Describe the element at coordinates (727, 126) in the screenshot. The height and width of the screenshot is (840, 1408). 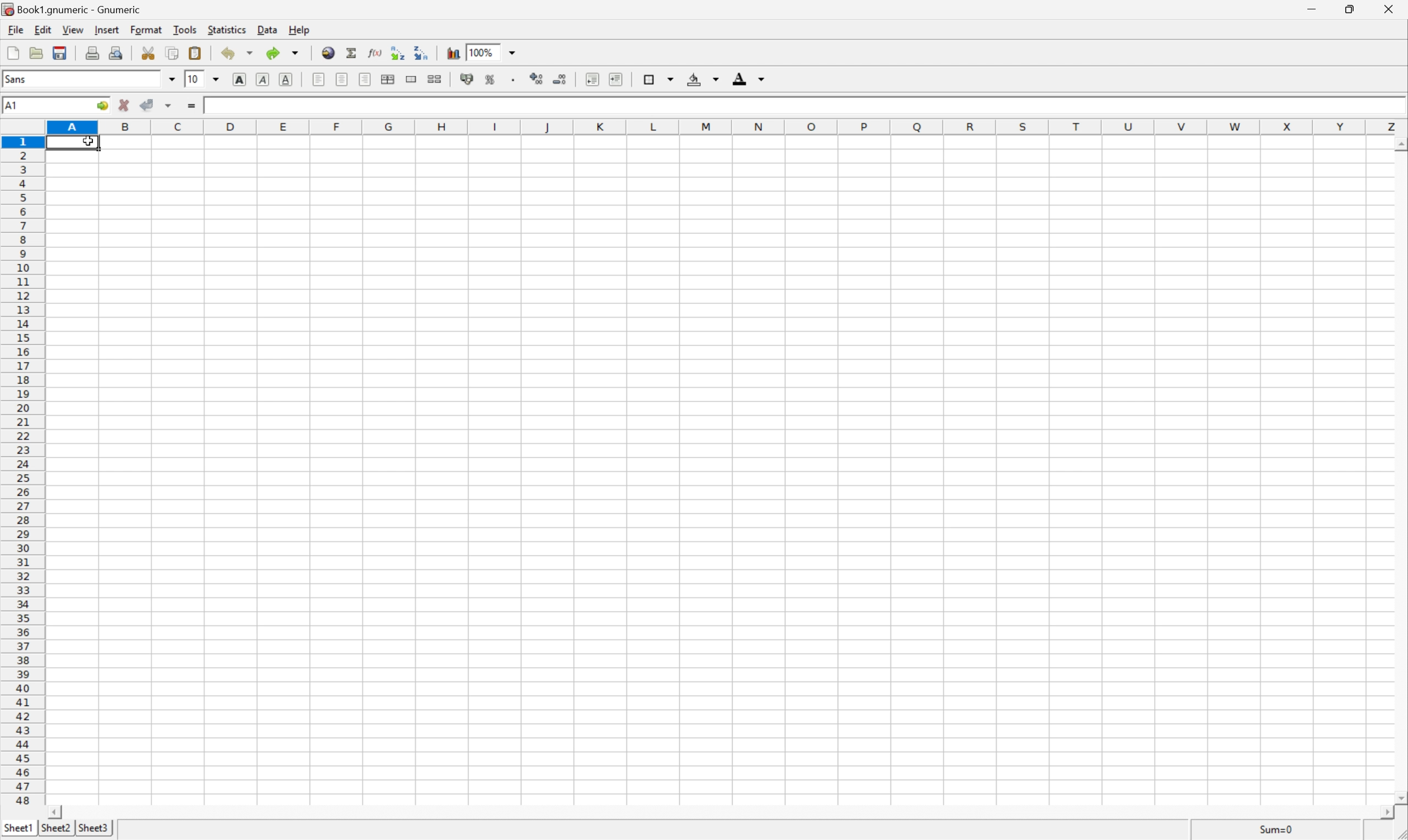
I see `column numbers` at that location.